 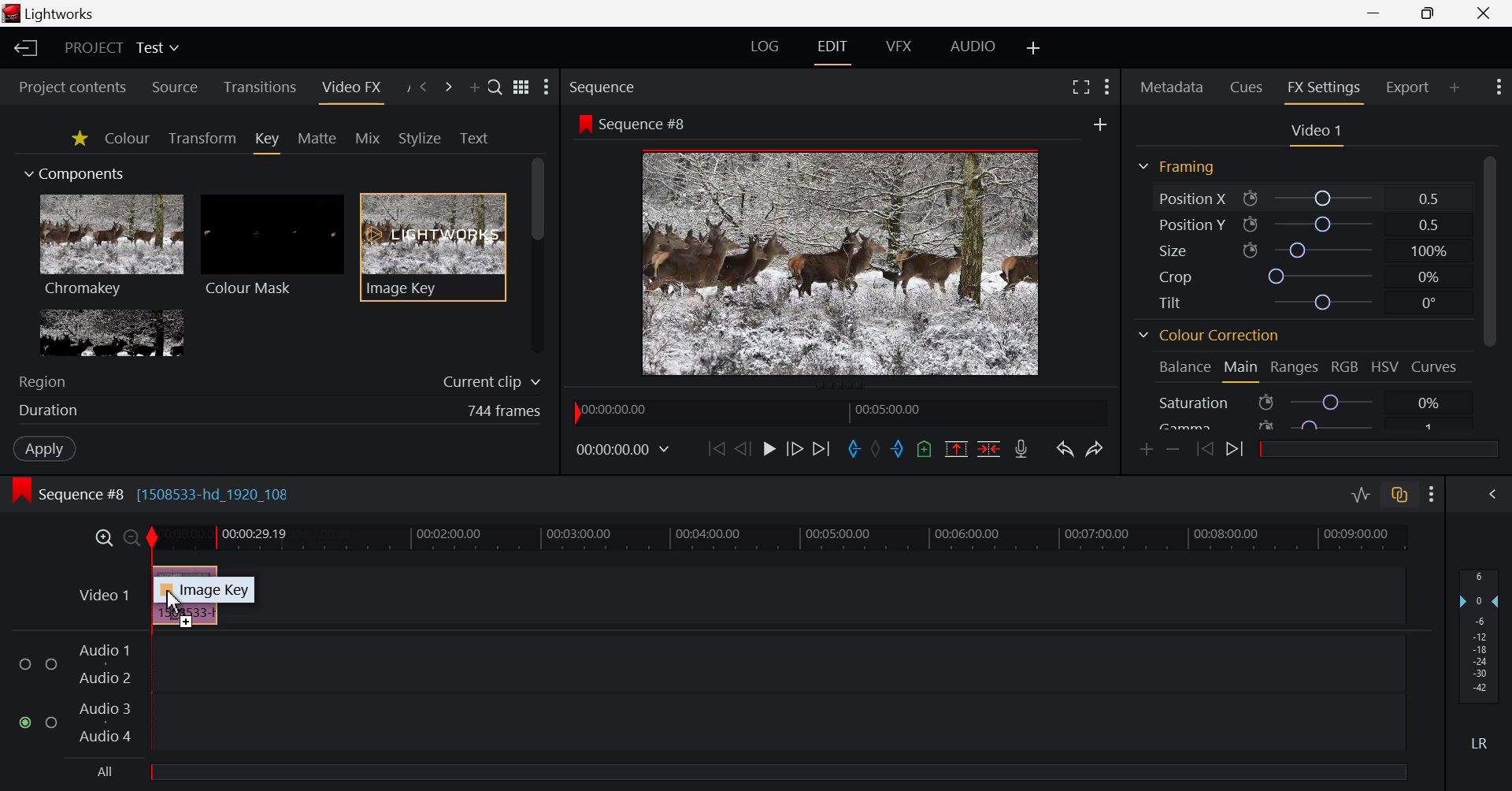 What do you see at coordinates (616, 410) in the screenshot?
I see `00:00:00:00` at bounding box center [616, 410].